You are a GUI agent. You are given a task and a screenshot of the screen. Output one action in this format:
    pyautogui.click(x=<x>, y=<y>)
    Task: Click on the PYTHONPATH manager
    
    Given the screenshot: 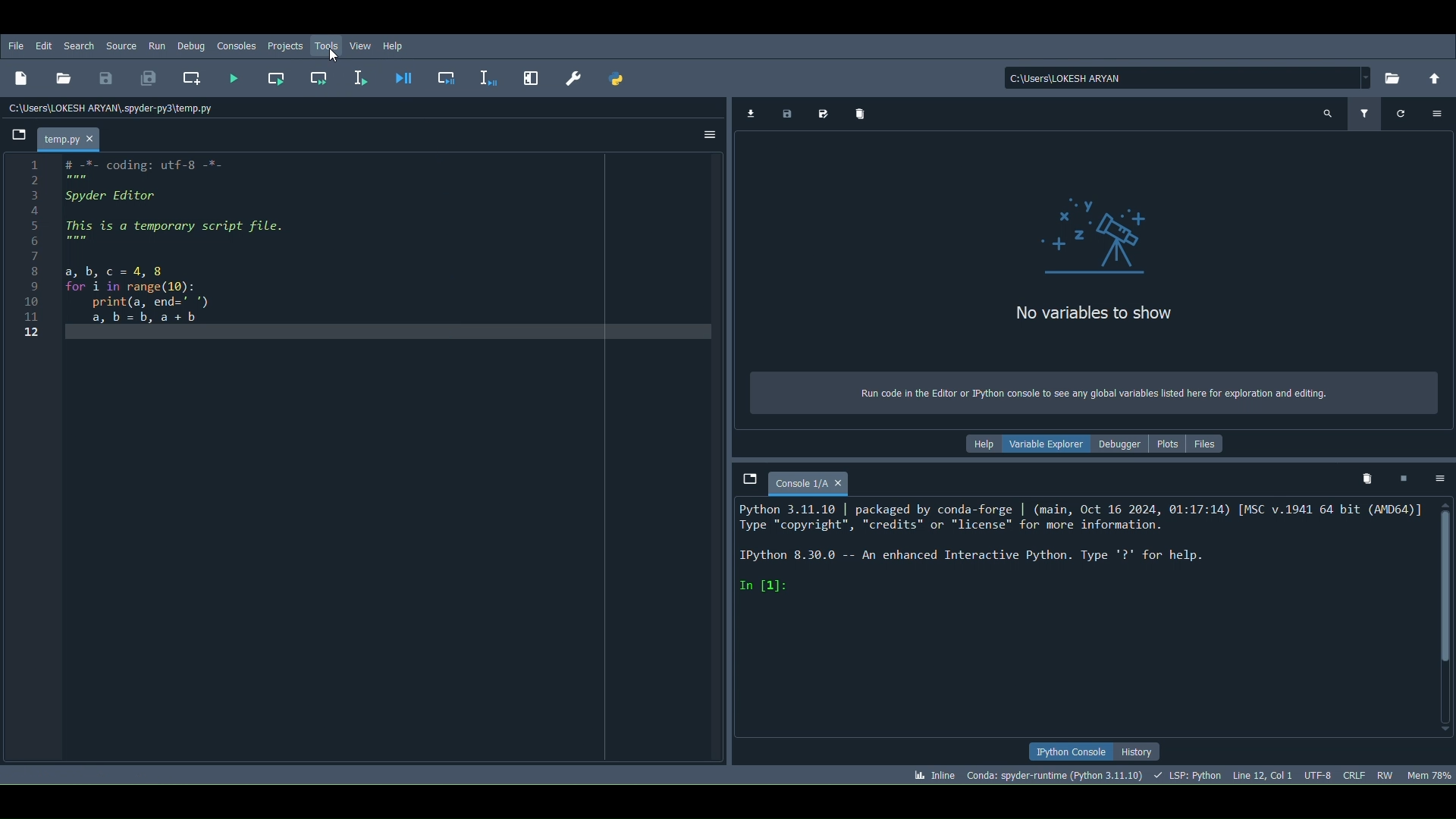 What is the action you would take?
    pyautogui.click(x=617, y=79)
    